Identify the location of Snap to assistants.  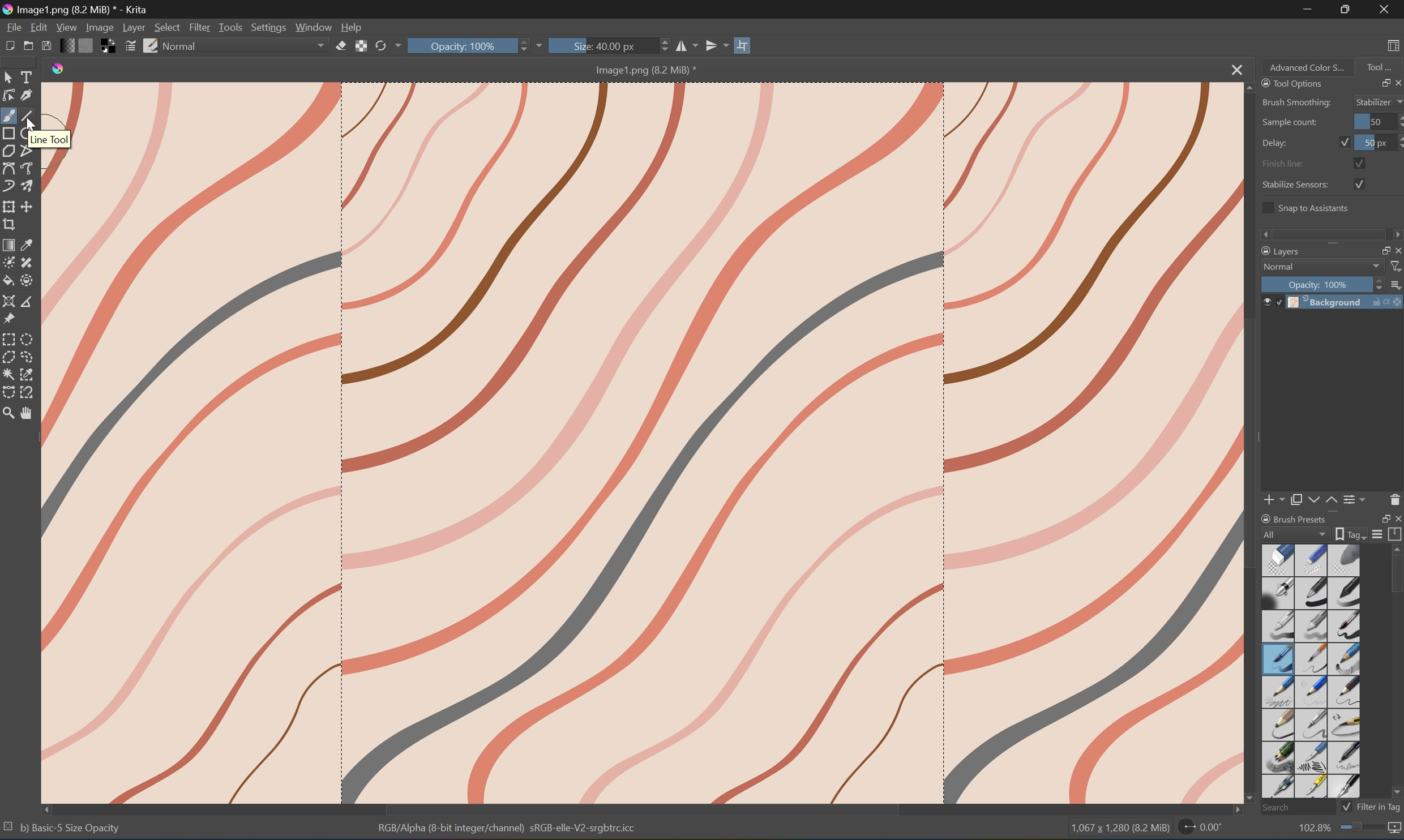
(1314, 209).